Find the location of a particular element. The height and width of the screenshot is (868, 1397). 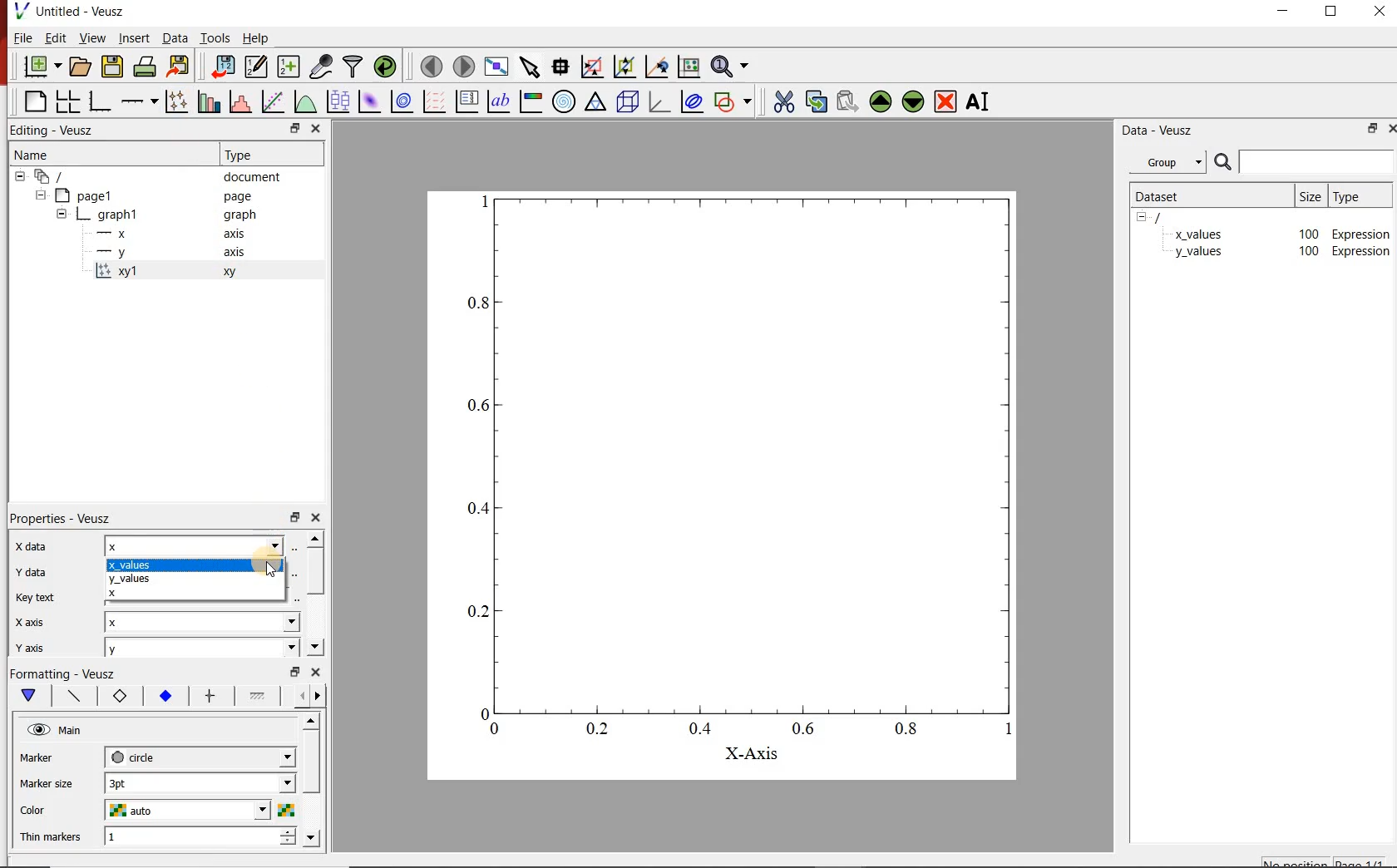

close is located at coordinates (1382, 13).